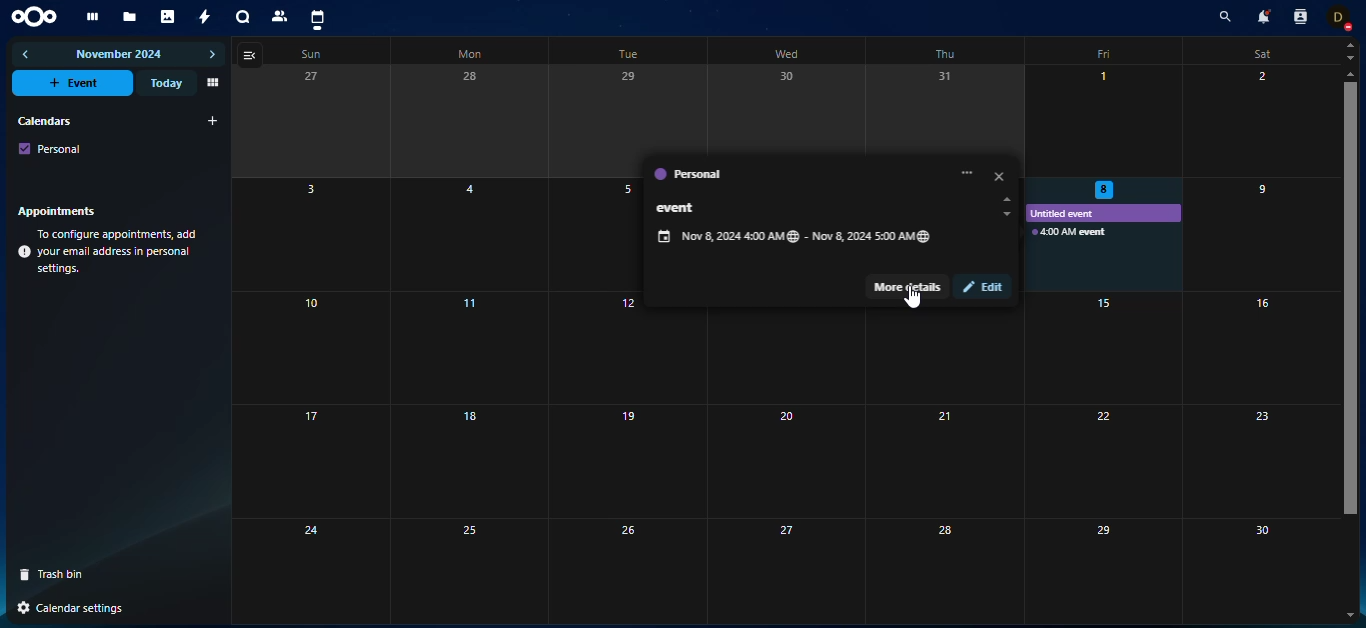  Describe the element at coordinates (1347, 44) in the screenshot. I see `up` at that location.